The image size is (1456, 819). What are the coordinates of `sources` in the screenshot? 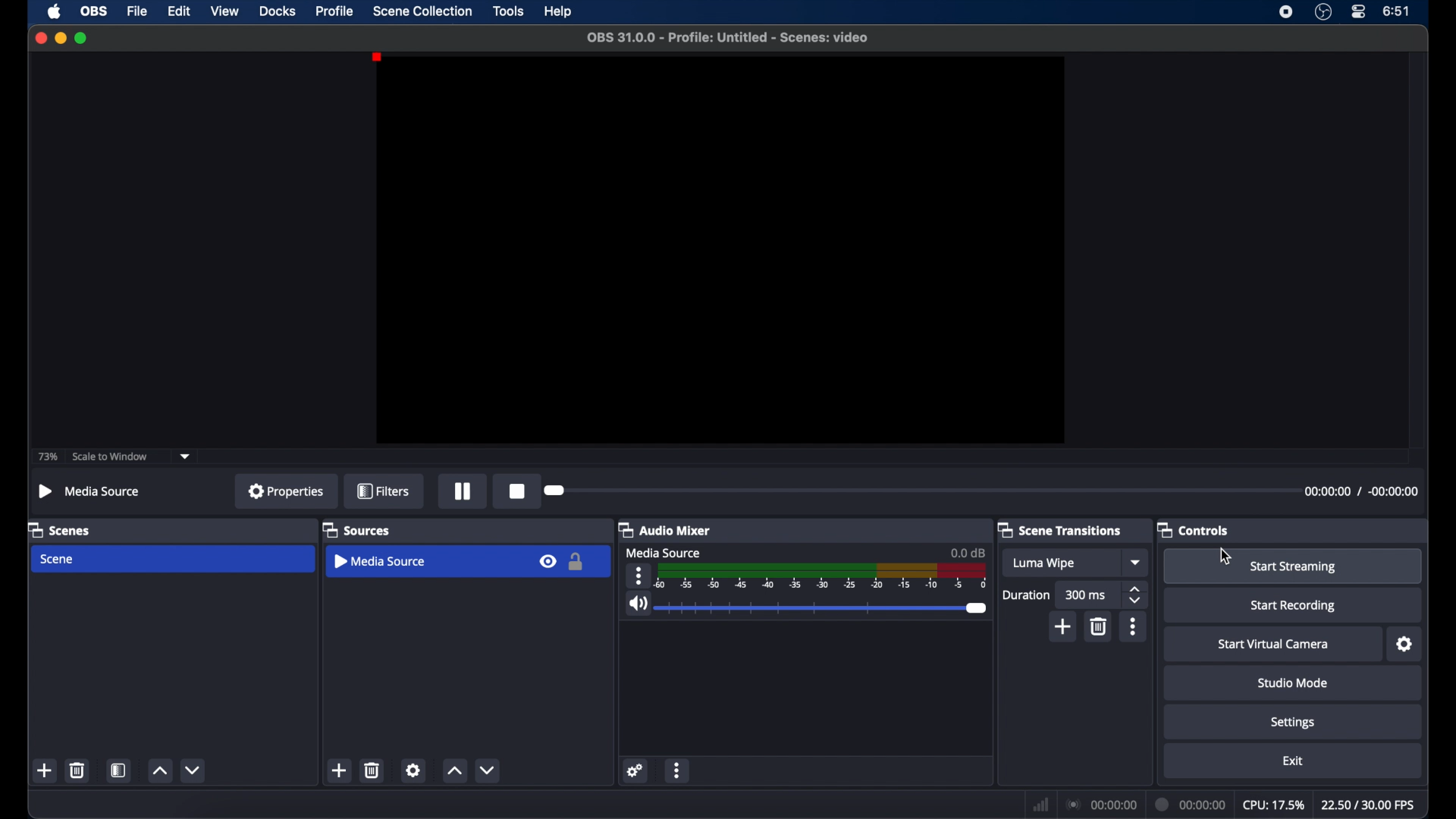 It's located at (356, 530).